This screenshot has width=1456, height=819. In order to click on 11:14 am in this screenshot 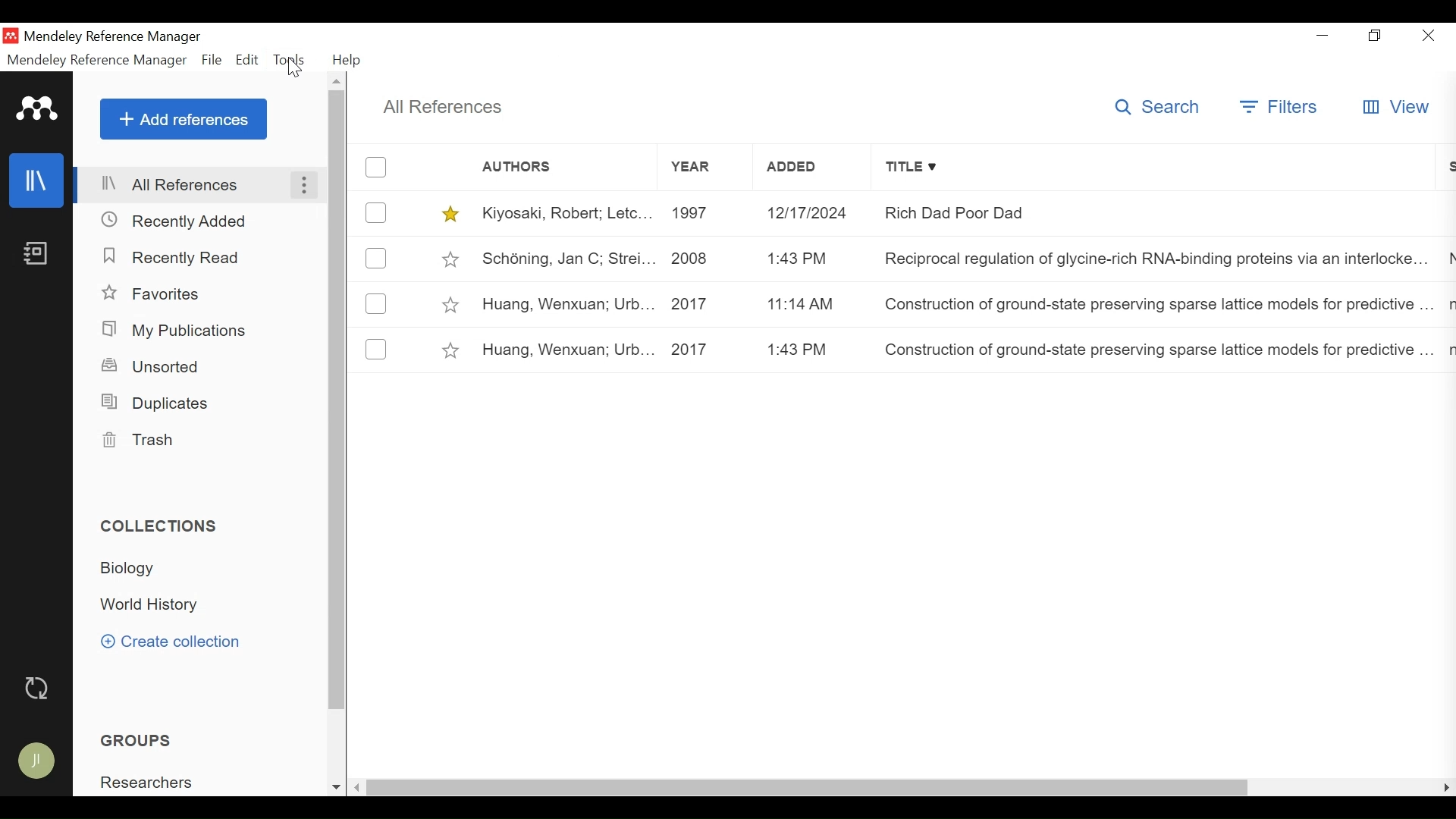, I will do `click(811, 307)`.